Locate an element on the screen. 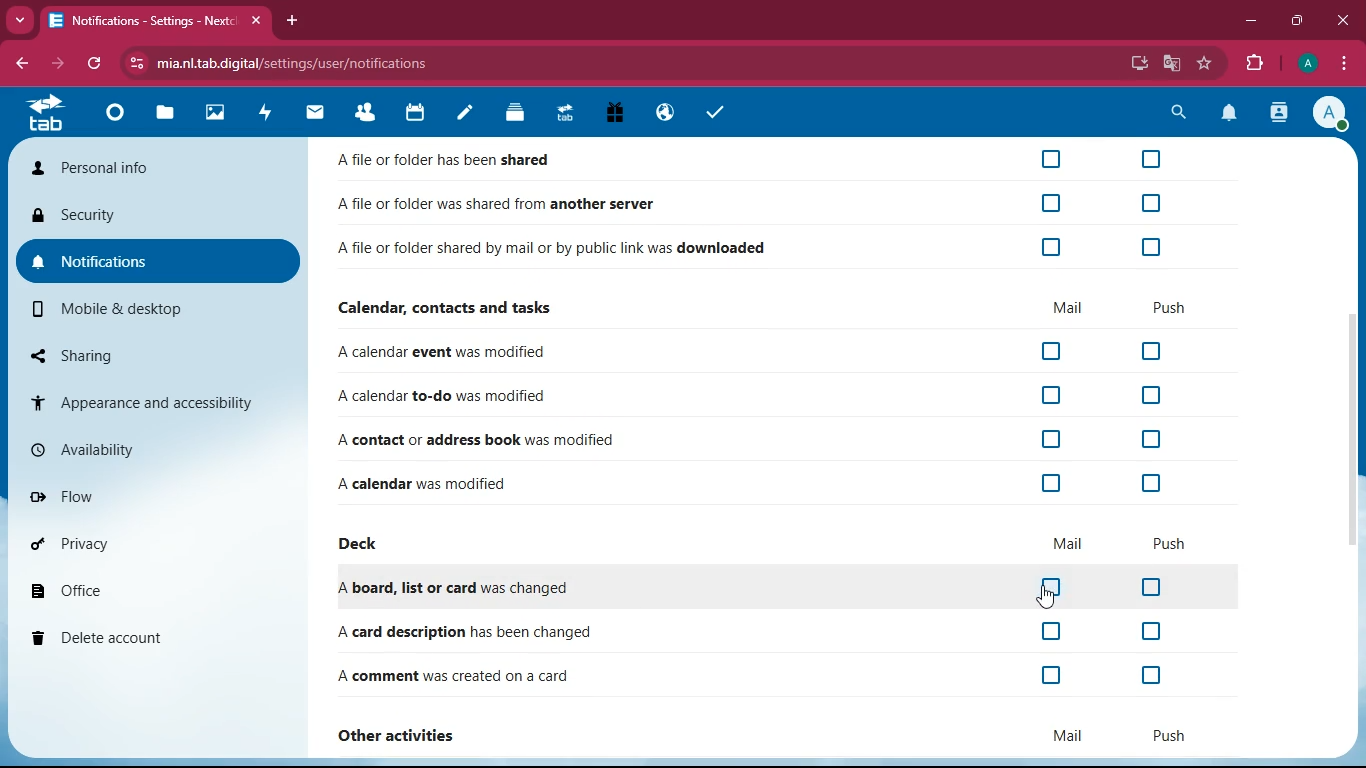 The image size is (1366, 768). push is located at coordinates (1170, 729).